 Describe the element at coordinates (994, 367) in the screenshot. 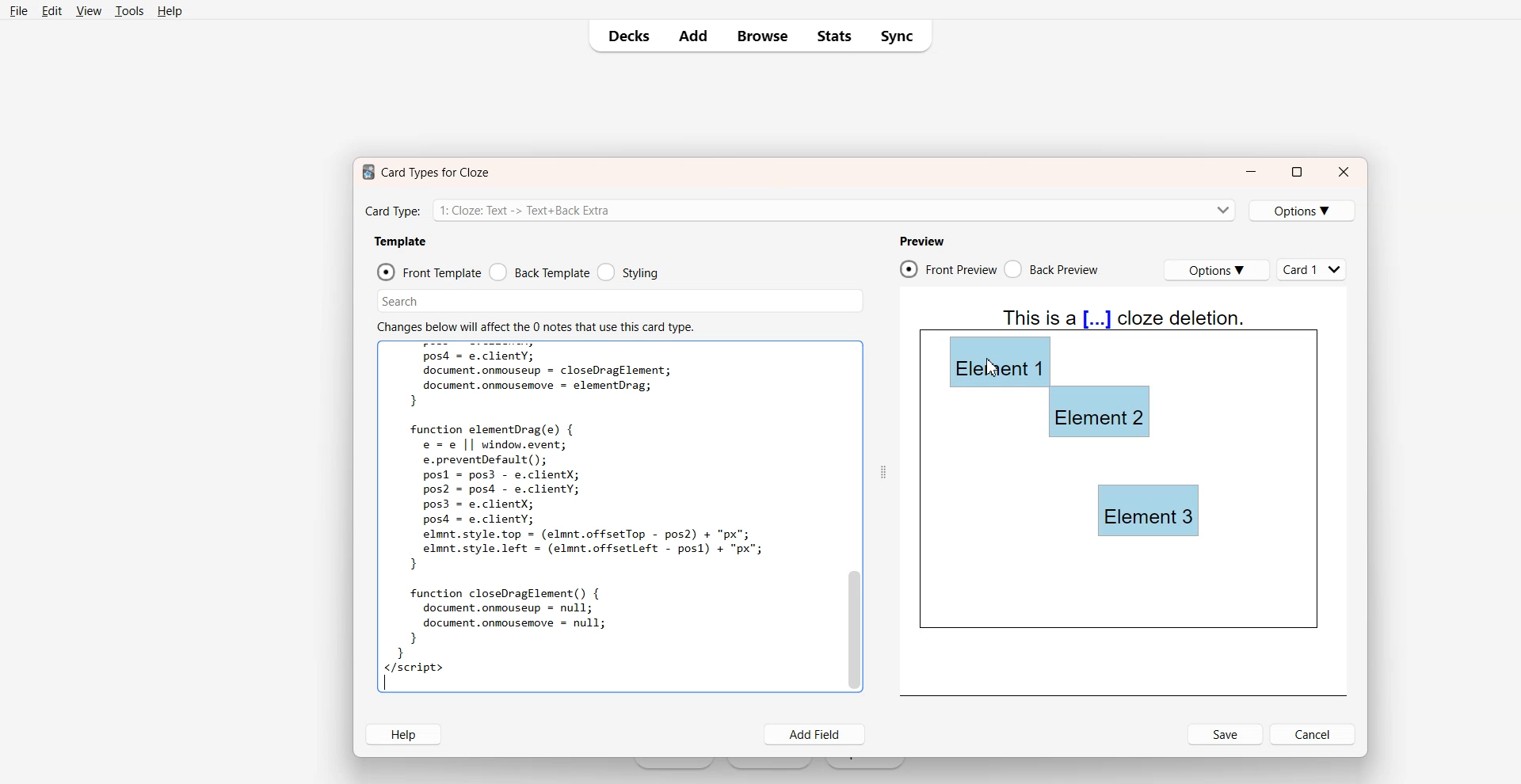

I see `cursor` at that location.